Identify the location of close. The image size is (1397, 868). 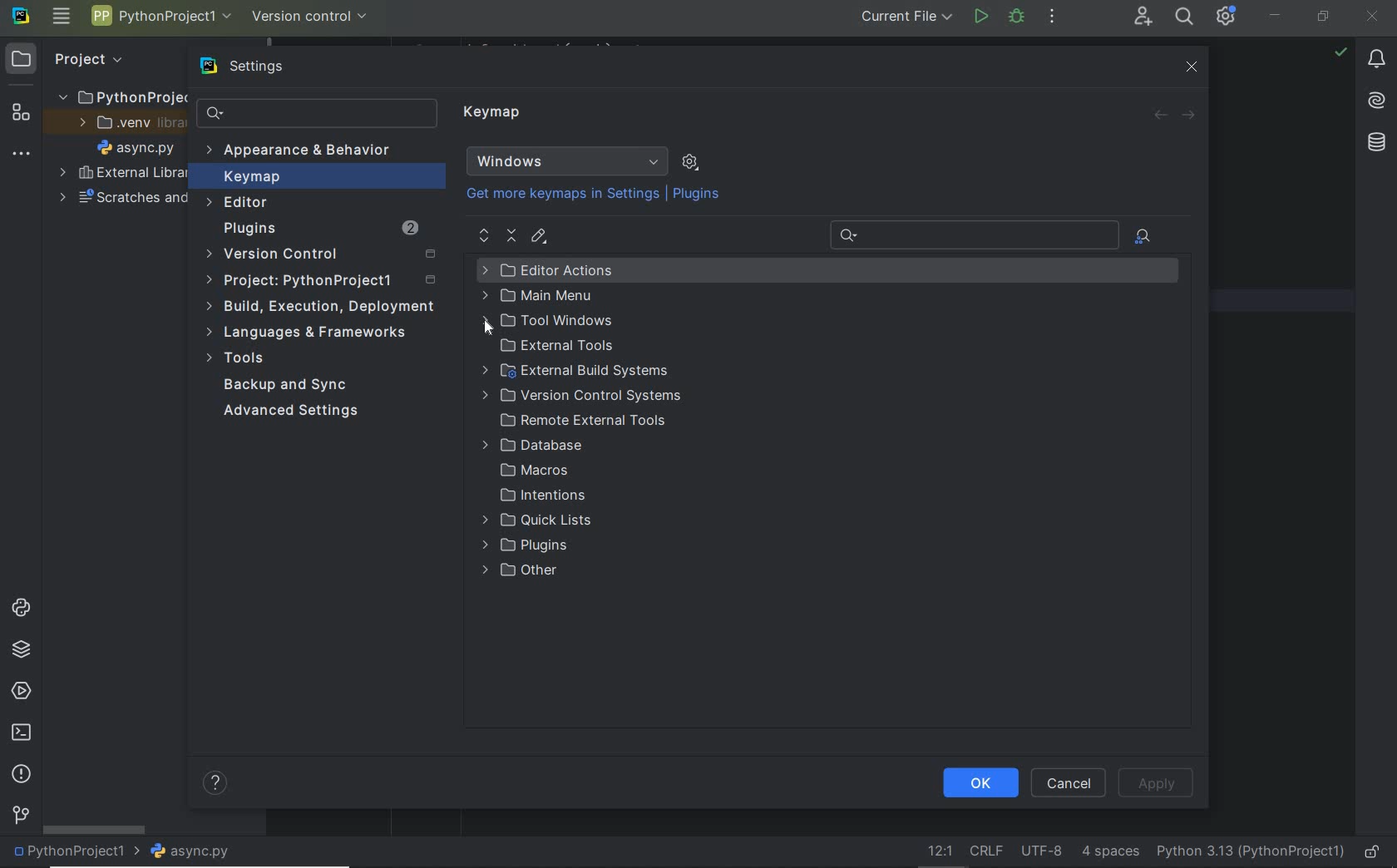
(1190, 67).